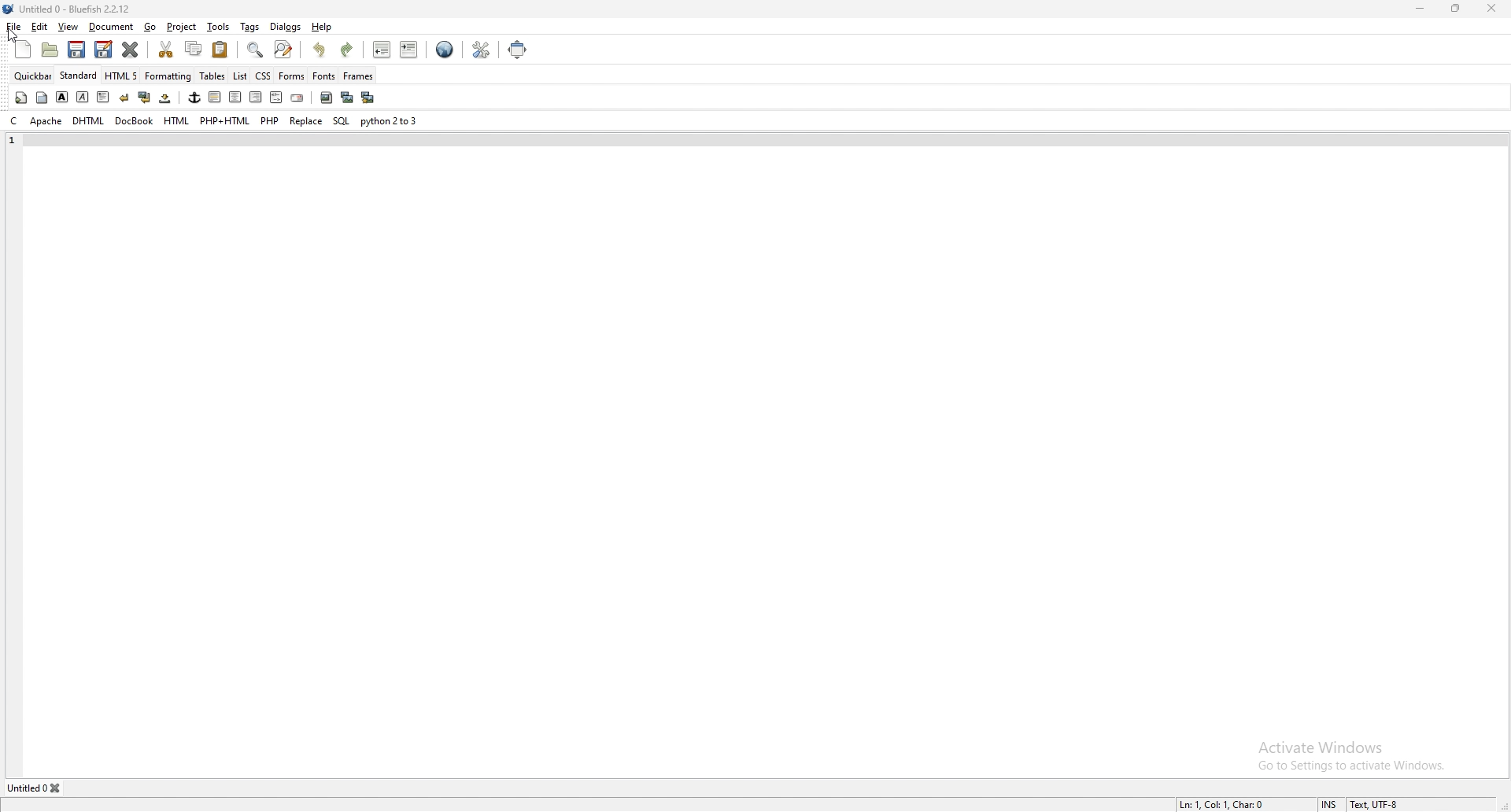 This screenshot has width=1511, height=812. Describe the element at coordinates (76, 8) in the screenshot. I see `Untitled 0 - Bluefish 2.2.12` at that location.